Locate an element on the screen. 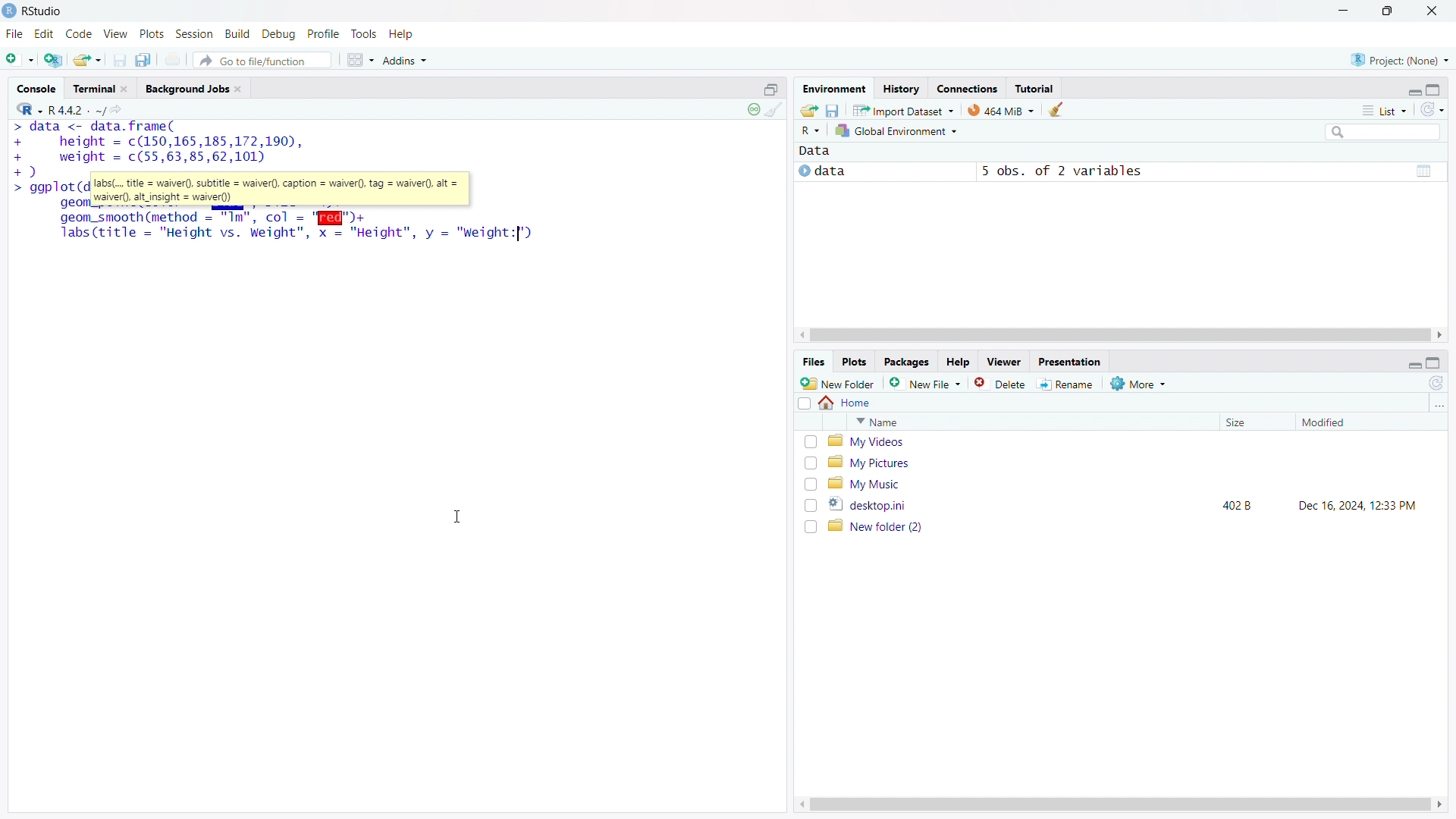  > is located at coordinates (22, 190).